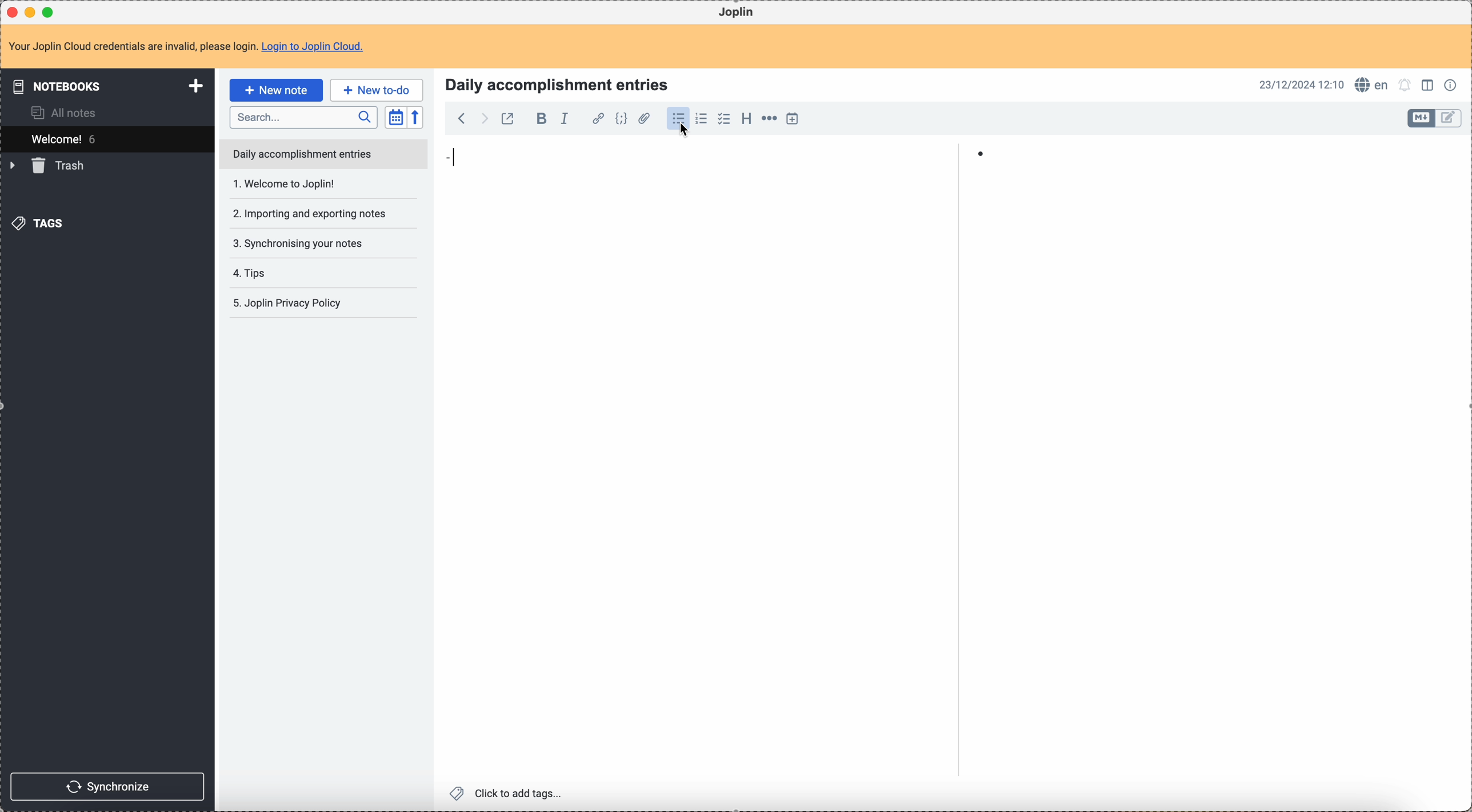 The width and height of the screenshot is (1472, 812). What do you see at coordinates (107, 785) in the screenshot?
I see `synchronize` at bounding box center [107, 785].